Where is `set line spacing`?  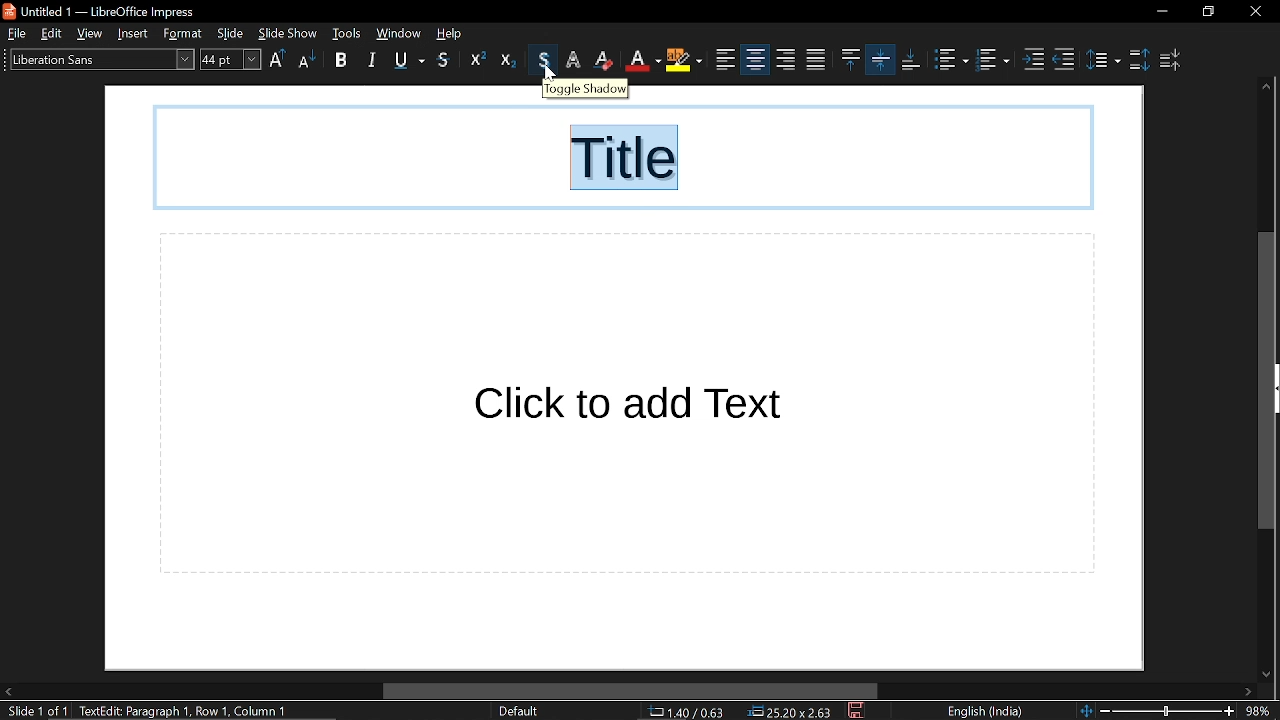 set line spacing is located at coordinates (1103, 58).